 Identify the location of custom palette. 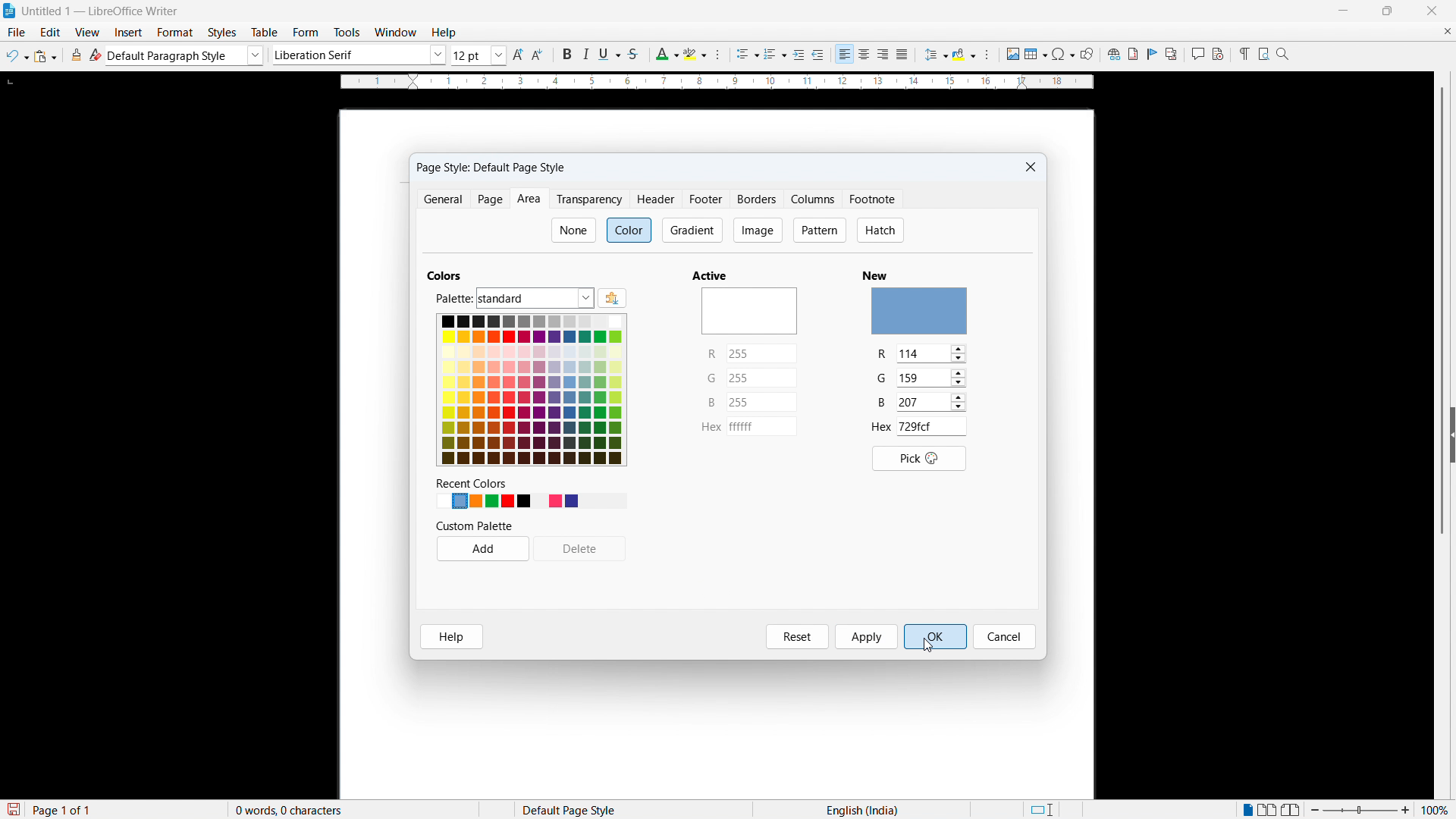
(472, 526).